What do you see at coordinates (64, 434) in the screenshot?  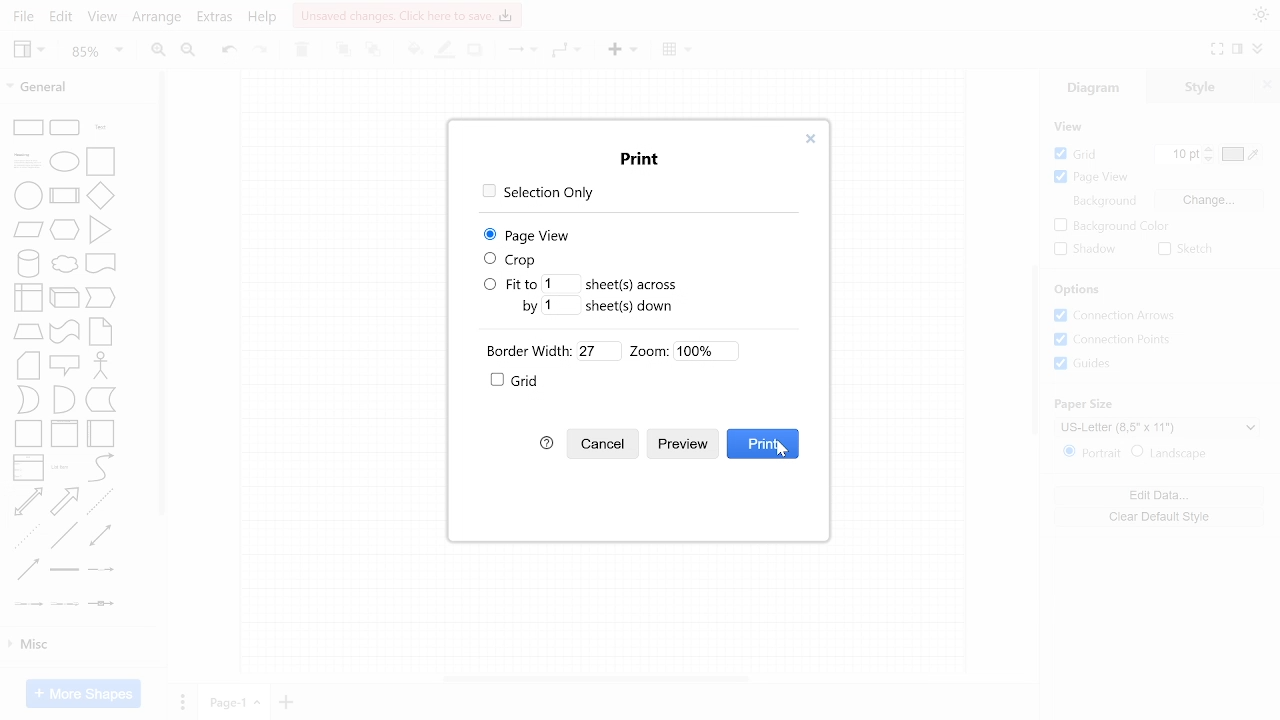 I see `Container` at bounding box center [64, 434].